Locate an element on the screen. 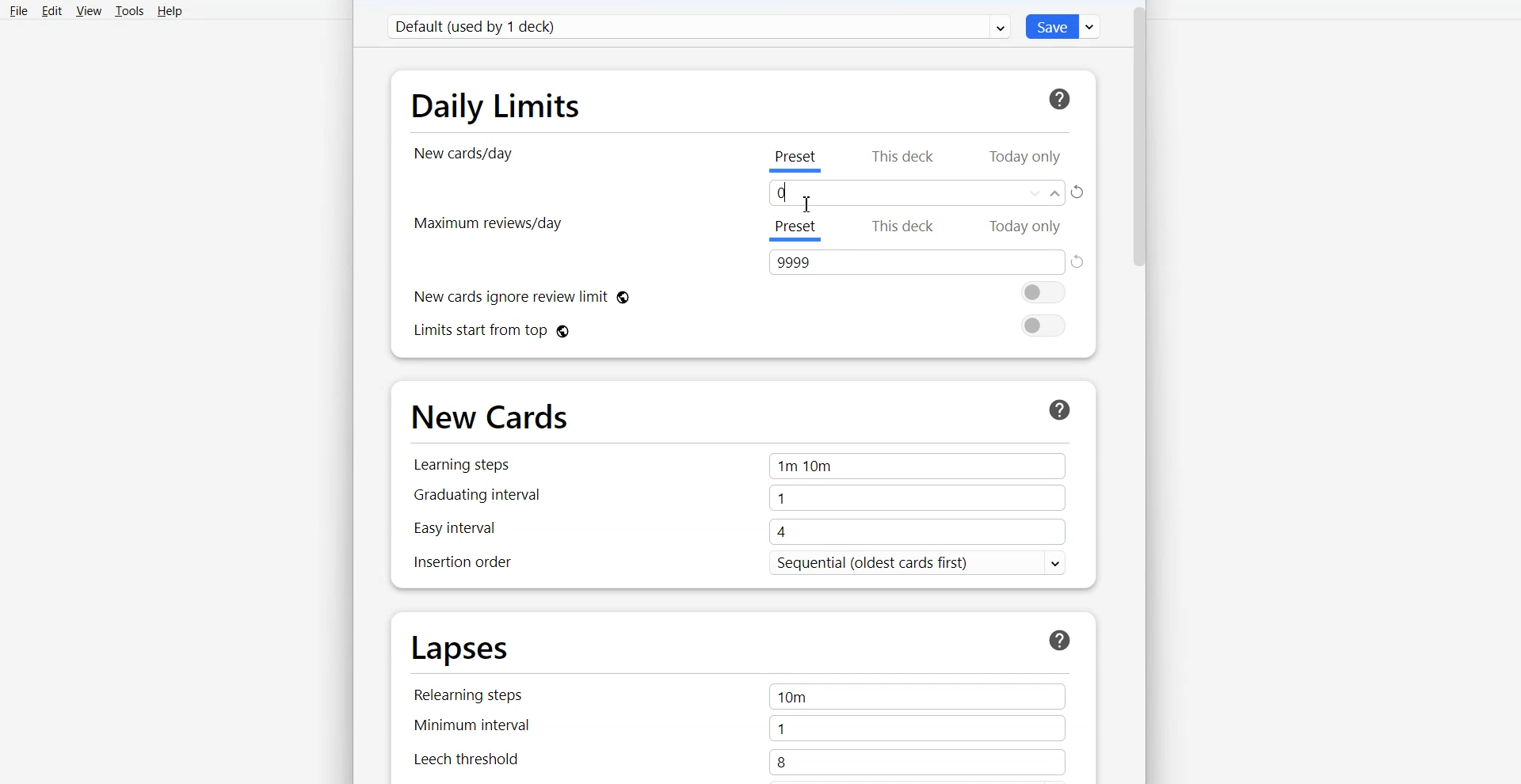 This screenshot has width=1521, height=784. Edit is located at coordinates (51, 10).